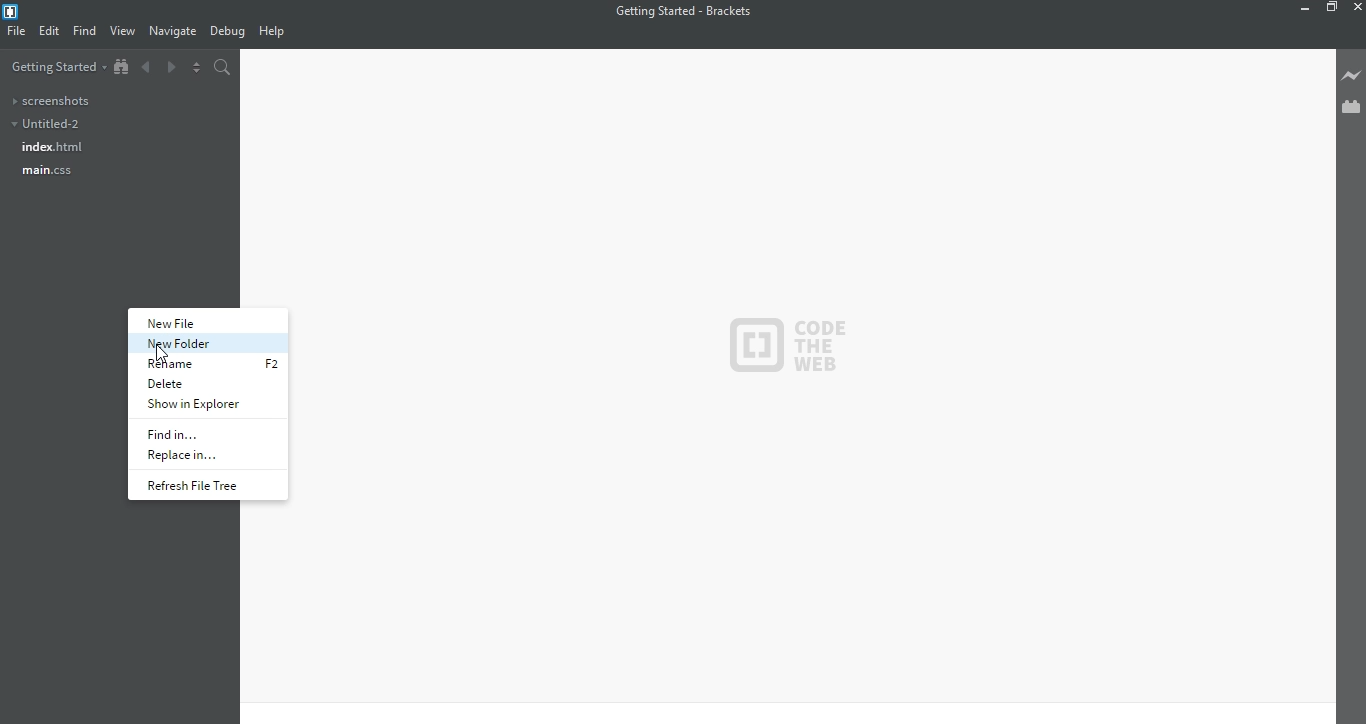 This screenshot has height=724, width=1366. What do you see at coordinates (1350, 108) in the screenshot?
I see `extension manger` at bounding box center [1350, 108].